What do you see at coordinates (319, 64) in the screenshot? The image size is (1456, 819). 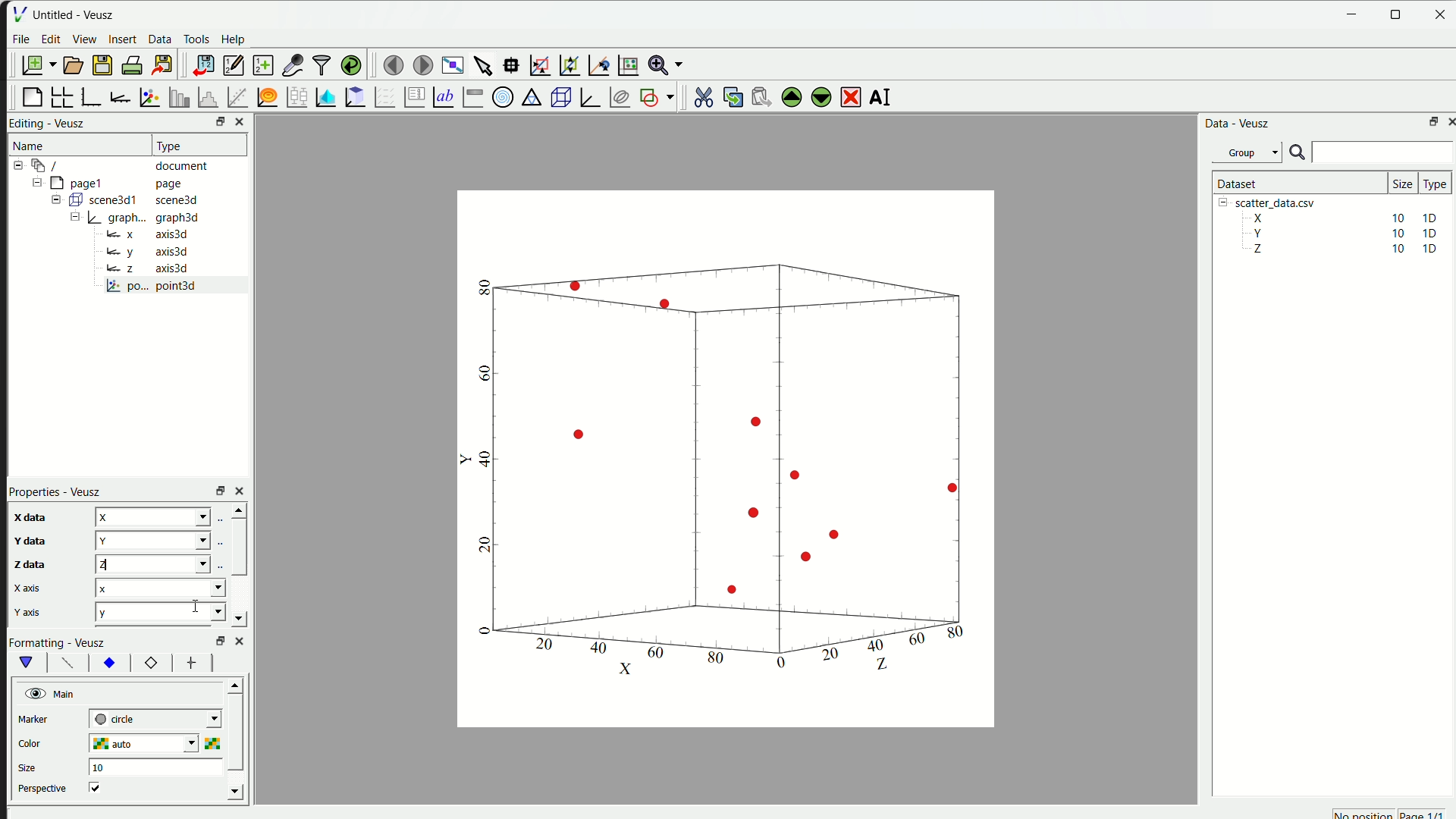 I see `filter data` at bounding box center [319, 64].